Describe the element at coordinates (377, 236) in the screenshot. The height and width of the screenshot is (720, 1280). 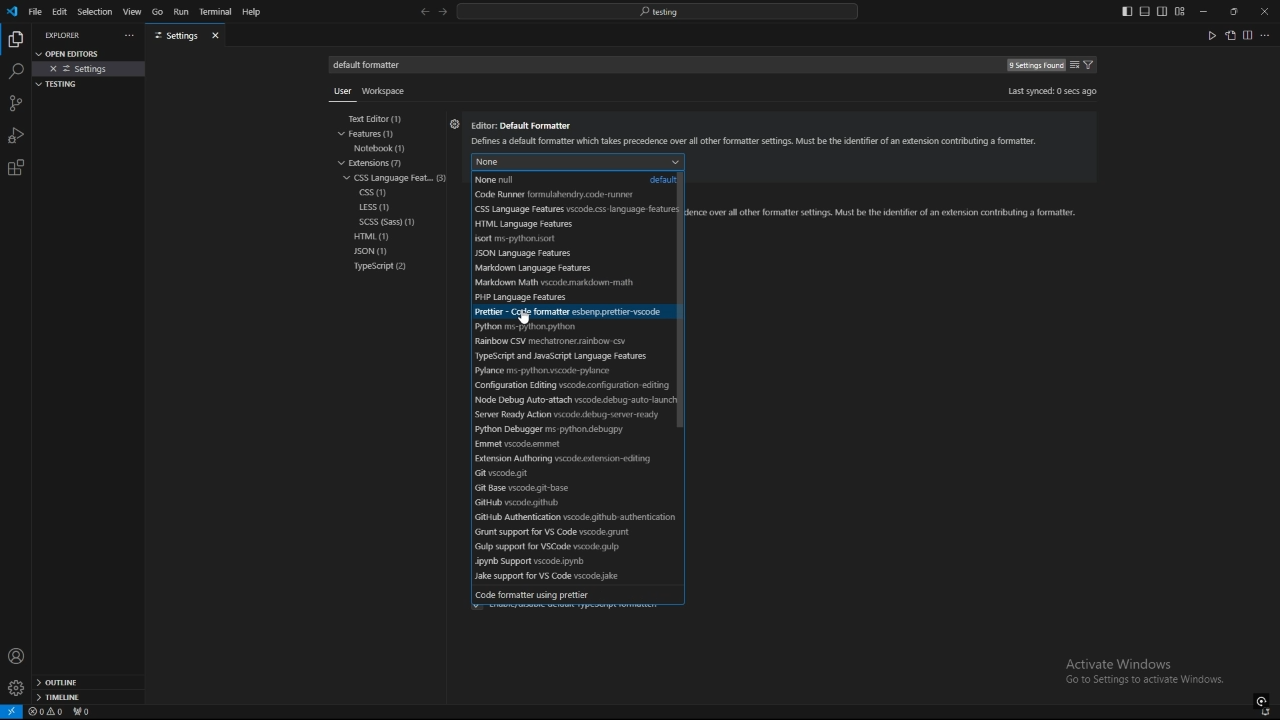
I see `html` at that location.